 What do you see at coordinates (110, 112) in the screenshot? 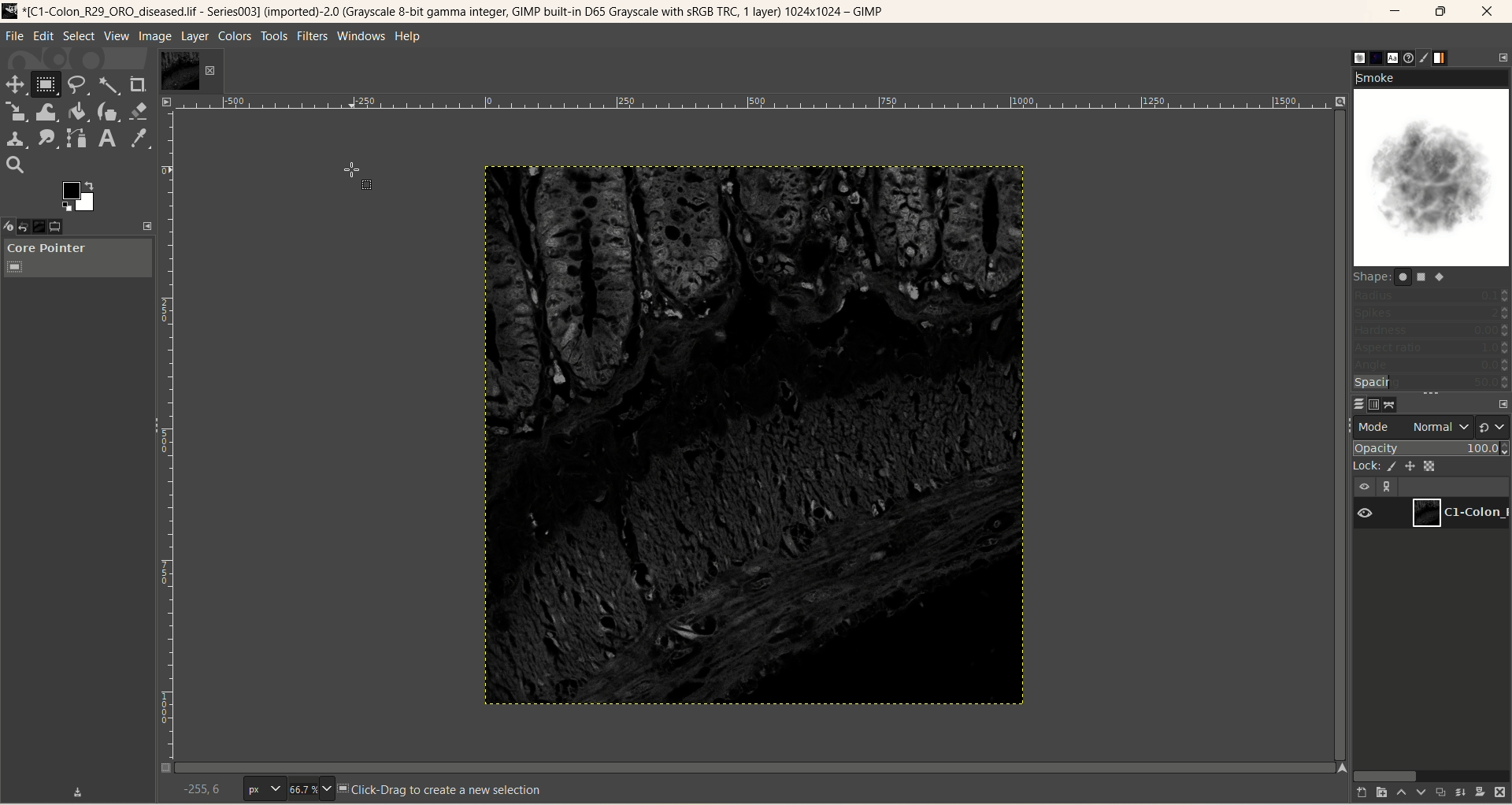
I see `ink tool` at bounding box center [110, 112].